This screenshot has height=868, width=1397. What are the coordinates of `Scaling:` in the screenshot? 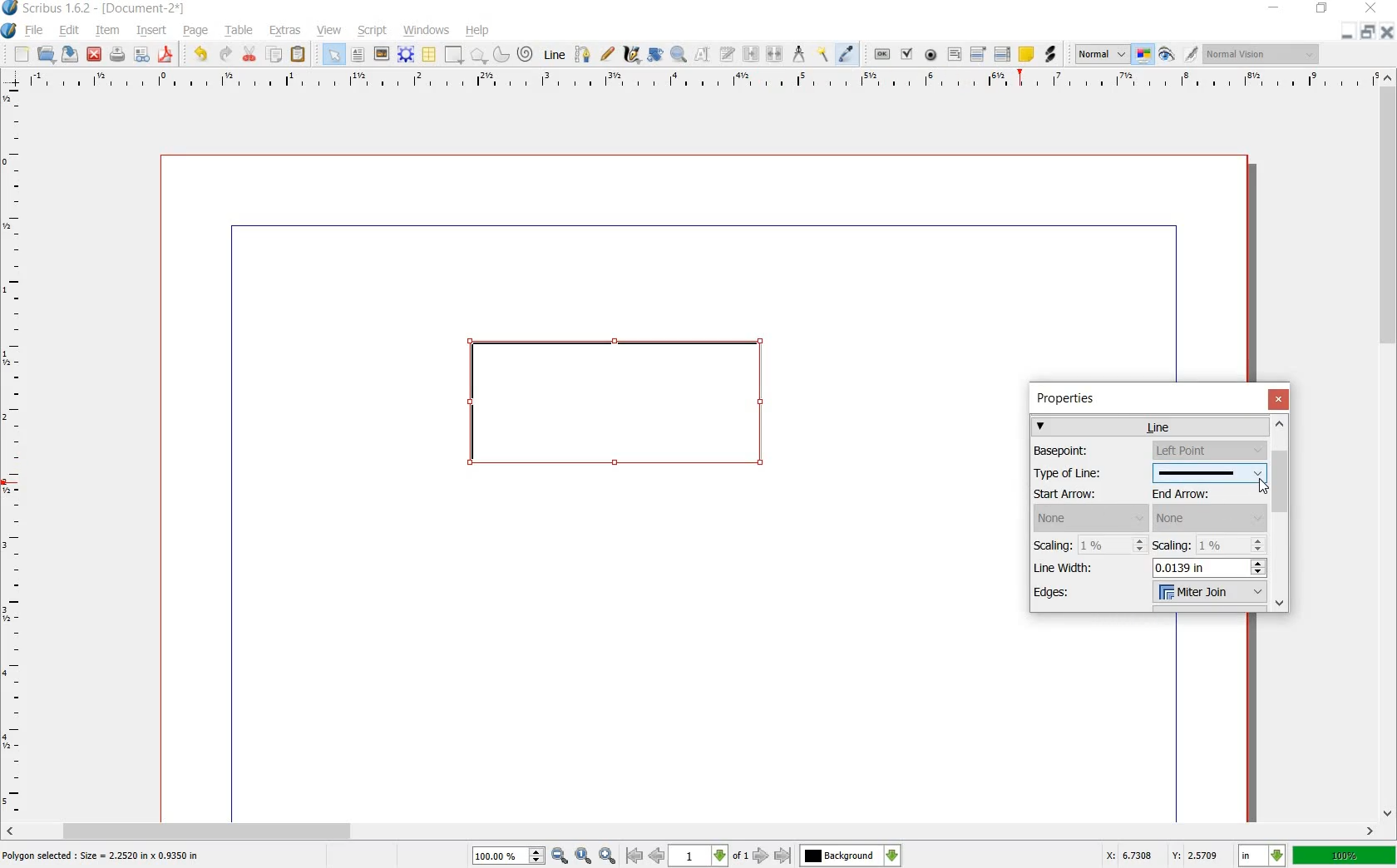 It's located at (1054, 545).